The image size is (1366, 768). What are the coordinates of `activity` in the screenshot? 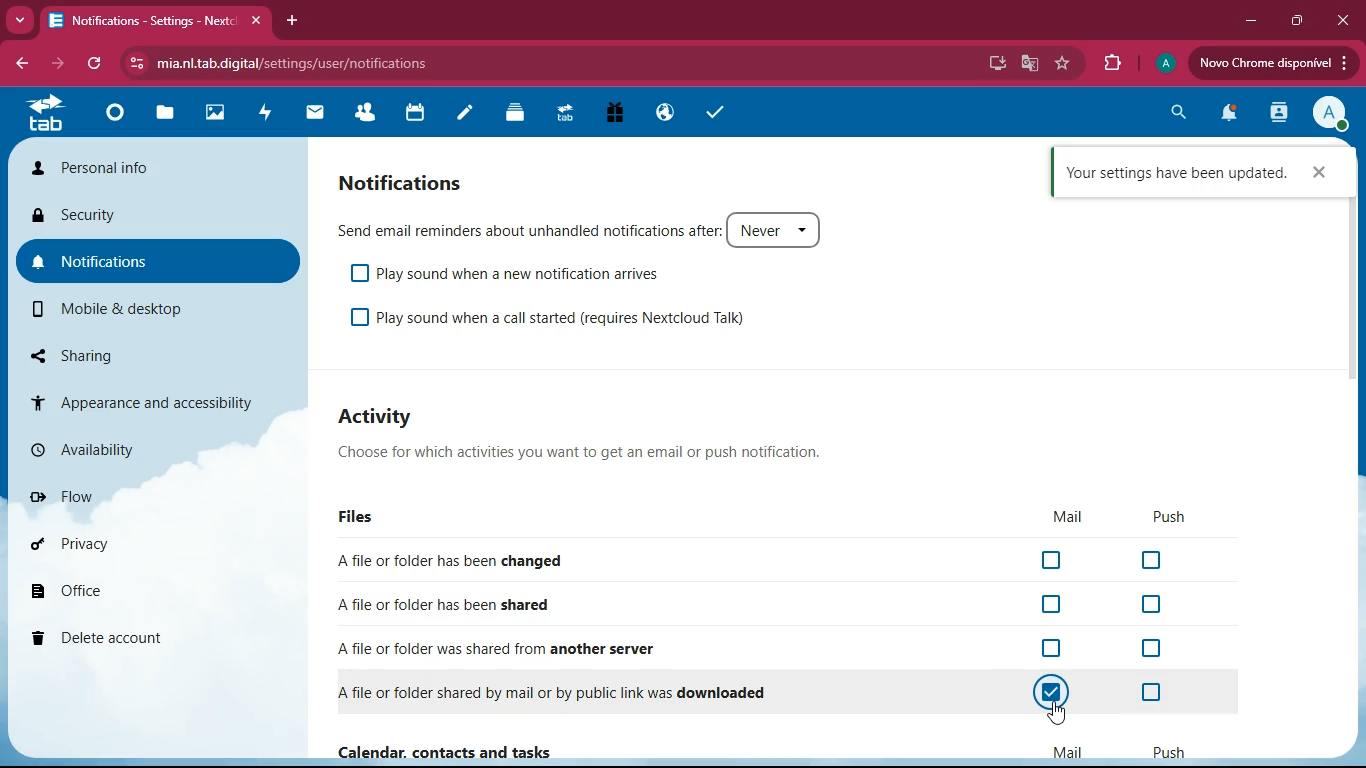 It's located at (262, 115).